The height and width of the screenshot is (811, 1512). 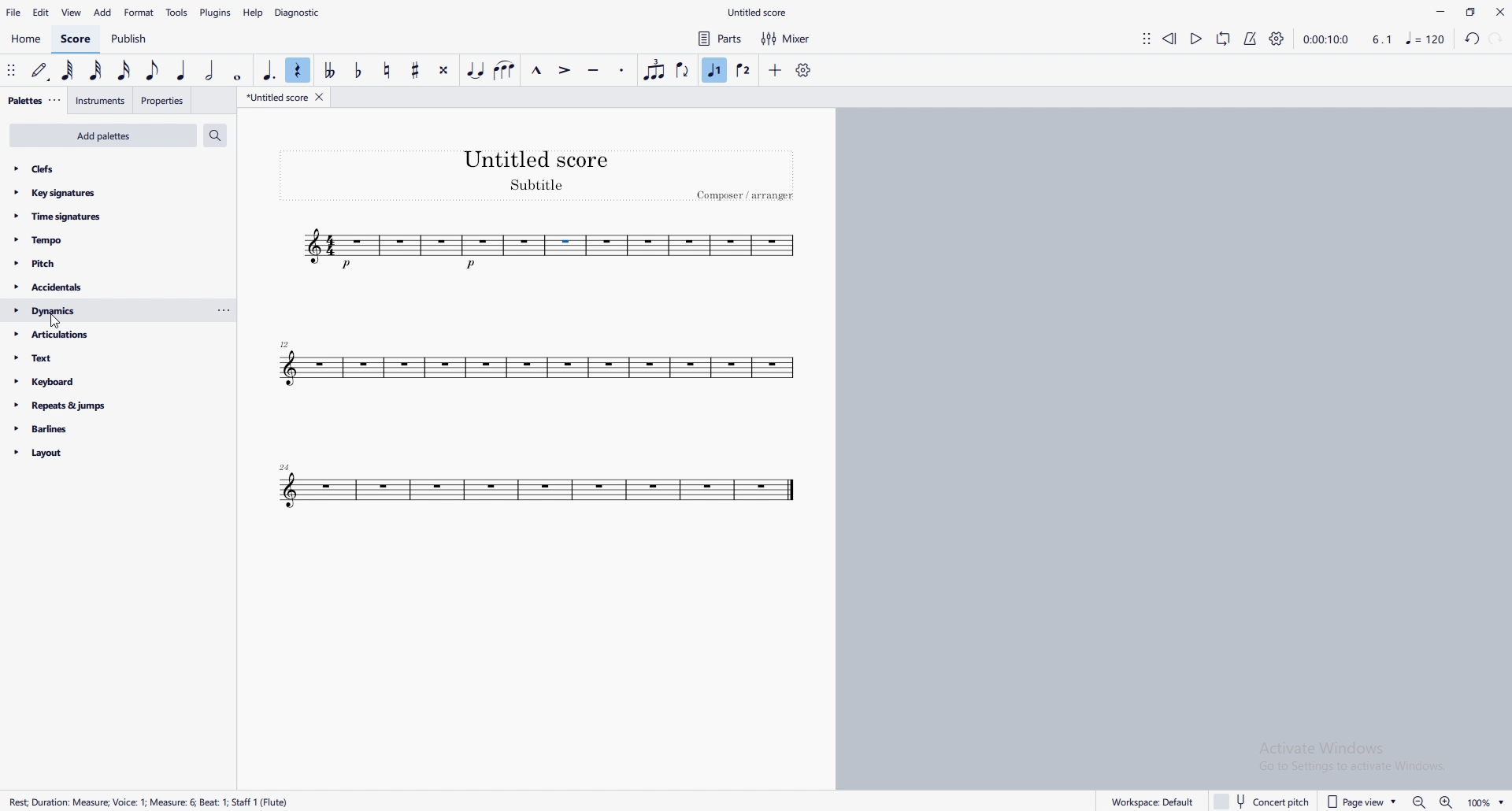 I want to click on loop playback, so click(x=1222, y=38).